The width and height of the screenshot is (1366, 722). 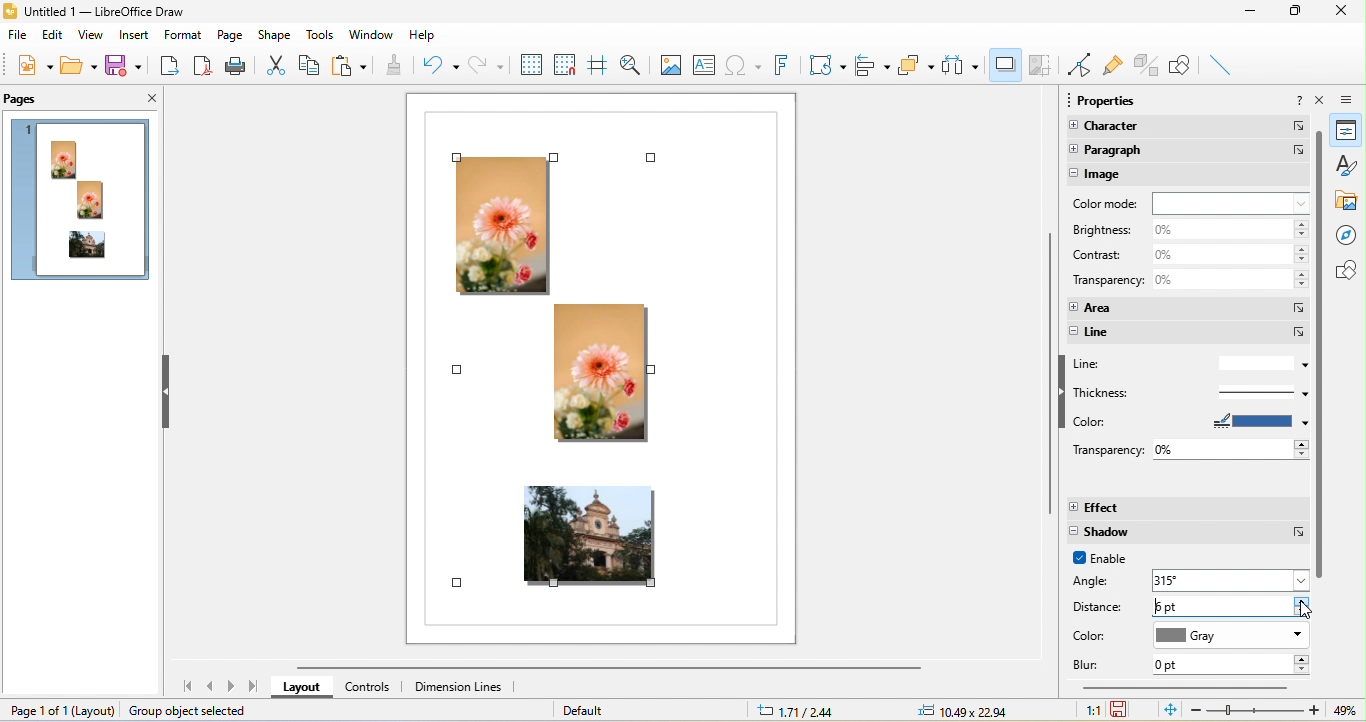 What do you see at coordinates (1322, 102) in the screenshot?
I see `close` at bounding box center [1322, 102].